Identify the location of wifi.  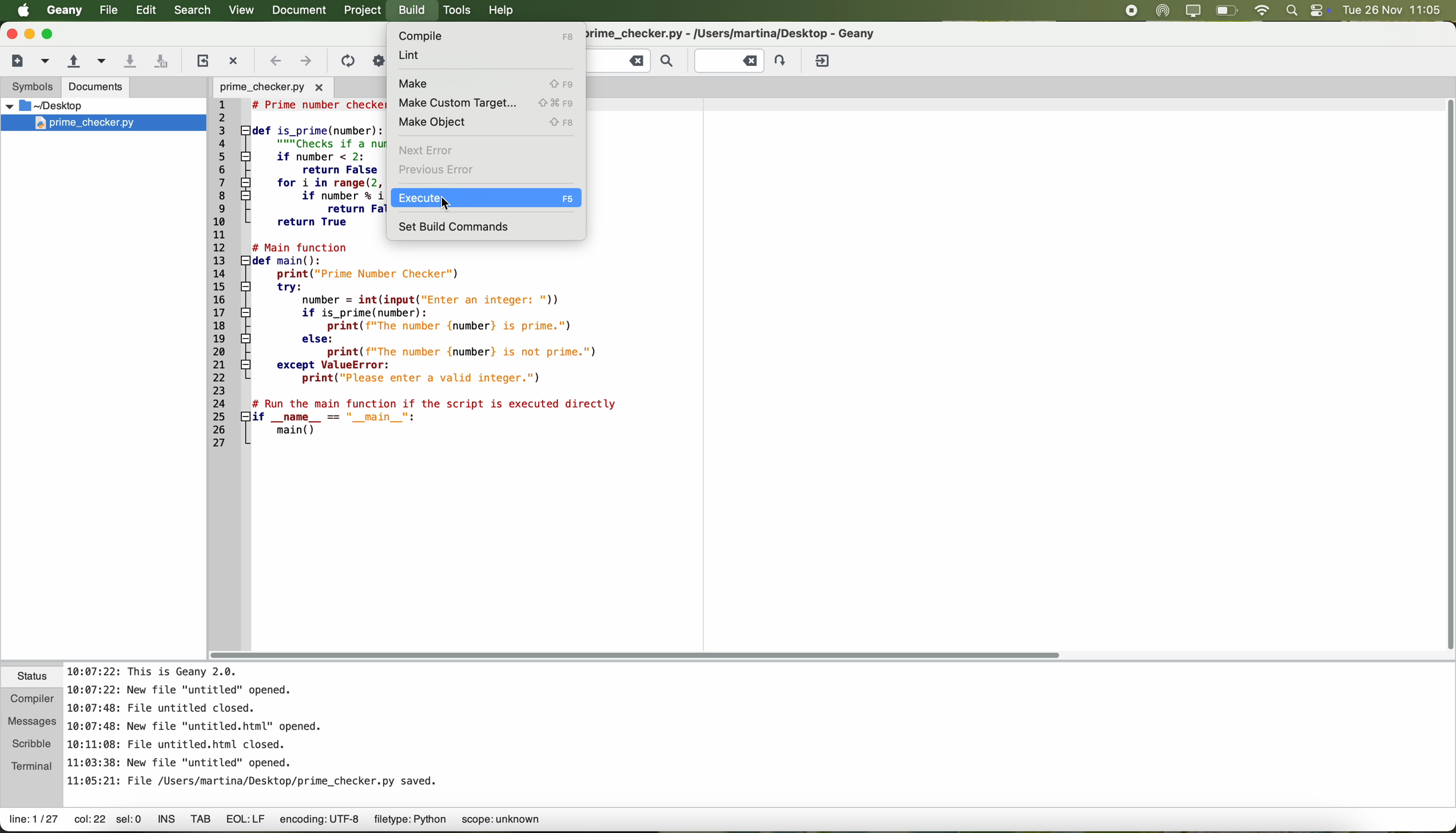
(1263, 10).